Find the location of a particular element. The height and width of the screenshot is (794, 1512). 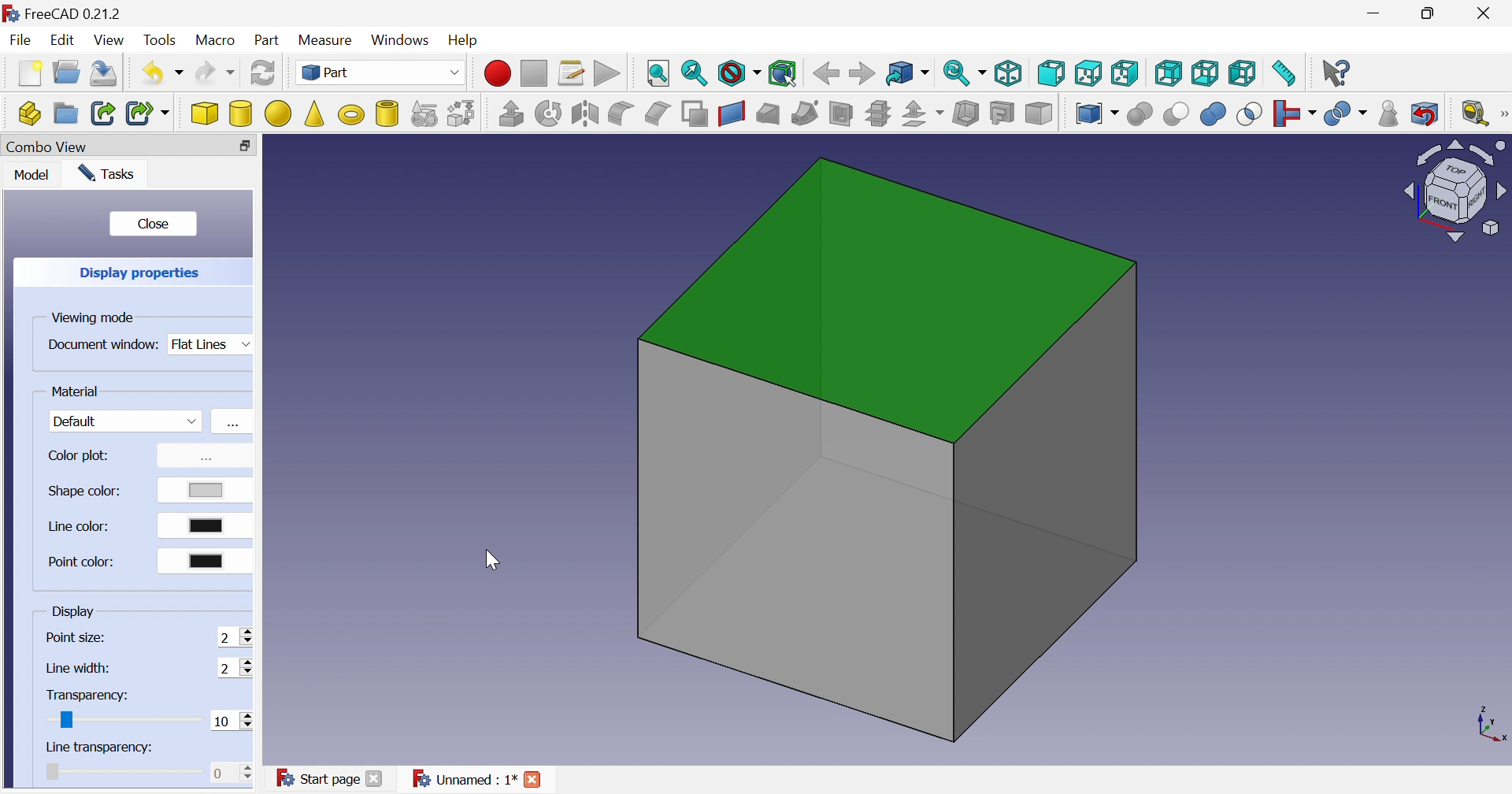

Section is located at coordinates (839, 113).